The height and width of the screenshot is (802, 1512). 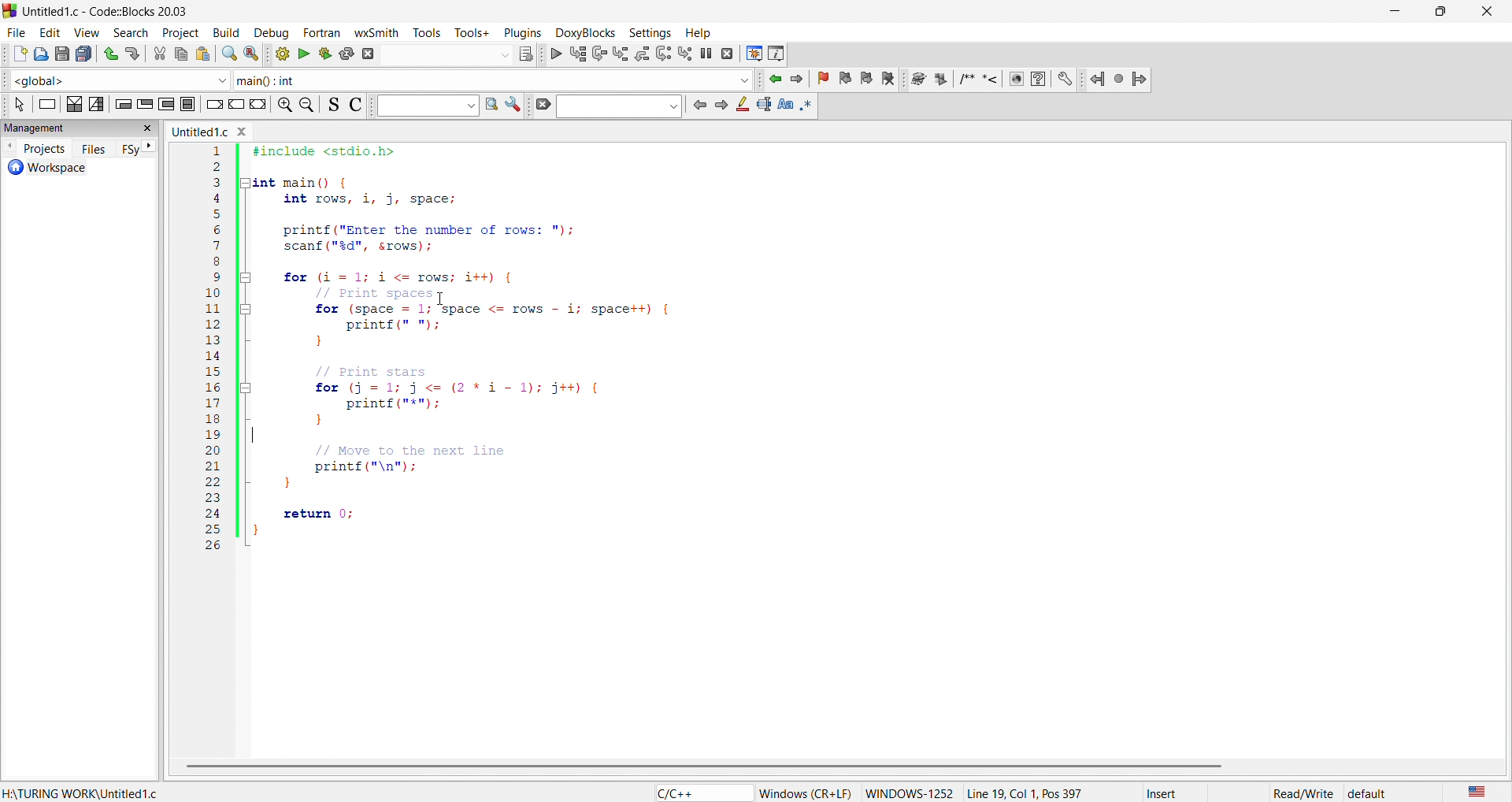 I want to click on break instruction, so click(x=212, y=102).